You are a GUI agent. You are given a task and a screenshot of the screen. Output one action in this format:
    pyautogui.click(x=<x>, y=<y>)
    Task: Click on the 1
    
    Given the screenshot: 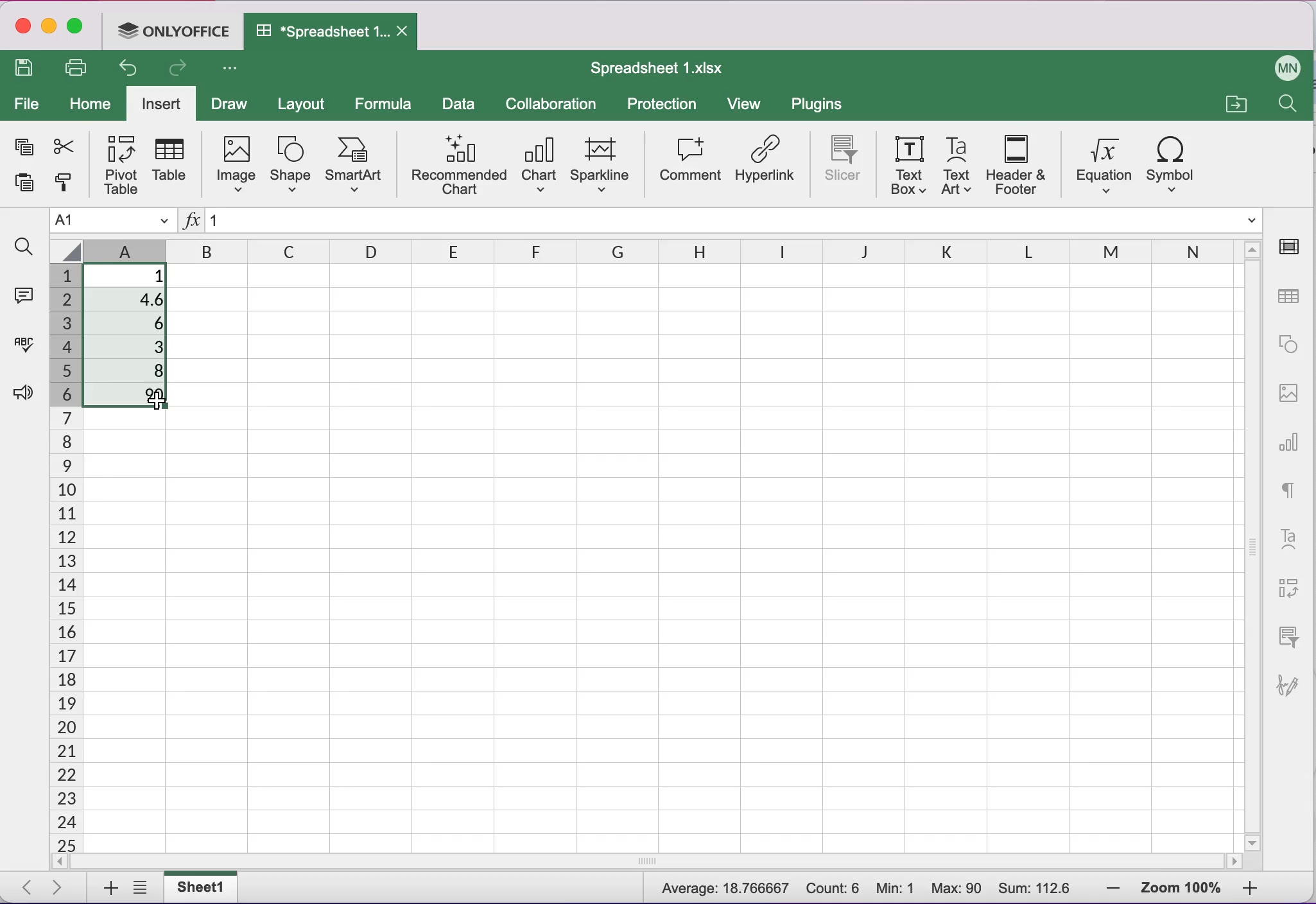 What is the action you would take?
    pyautogui.click(x=218, y=220)
    